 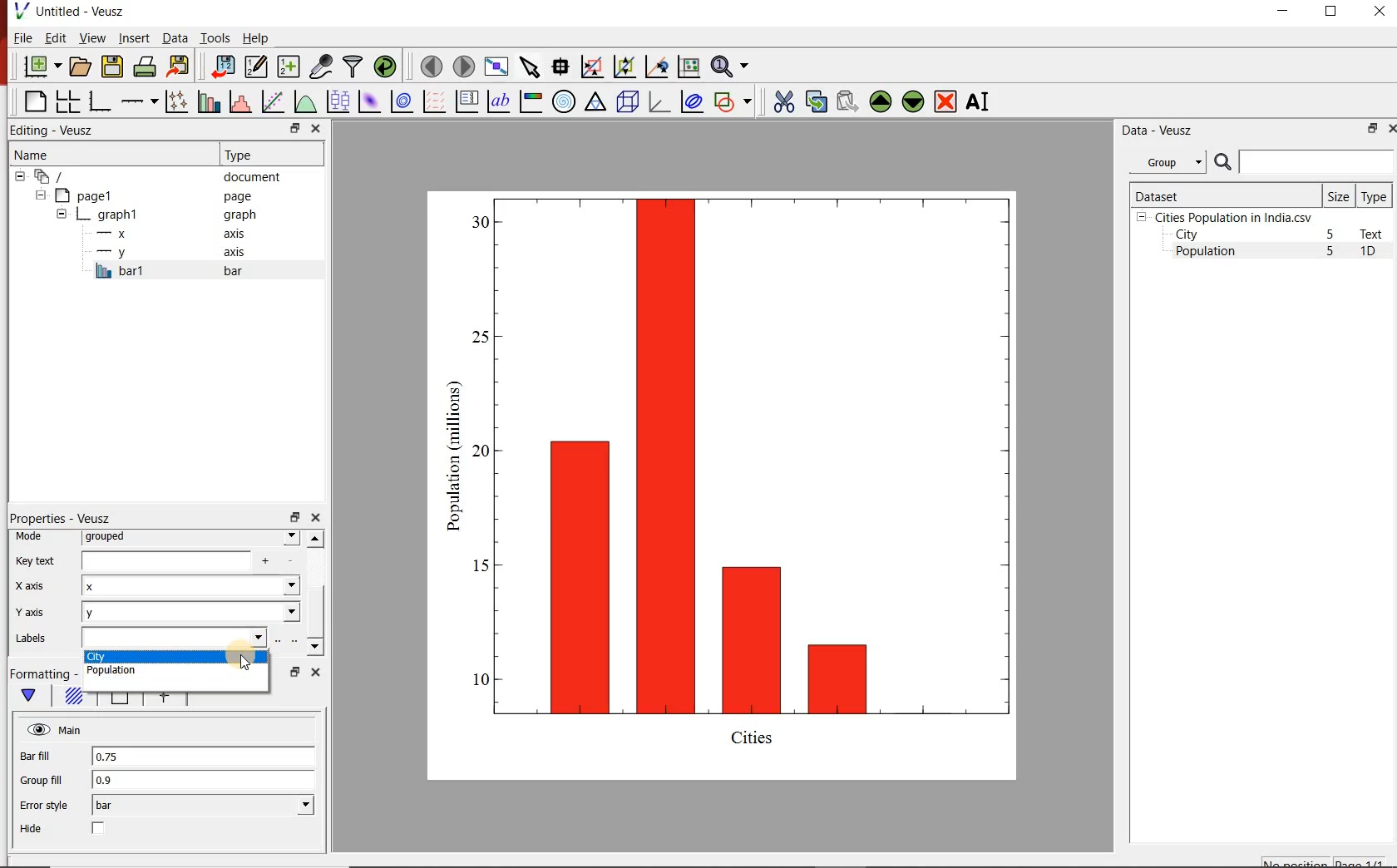 I want to click on Editing - Veusz, so click(x=61, y=130).